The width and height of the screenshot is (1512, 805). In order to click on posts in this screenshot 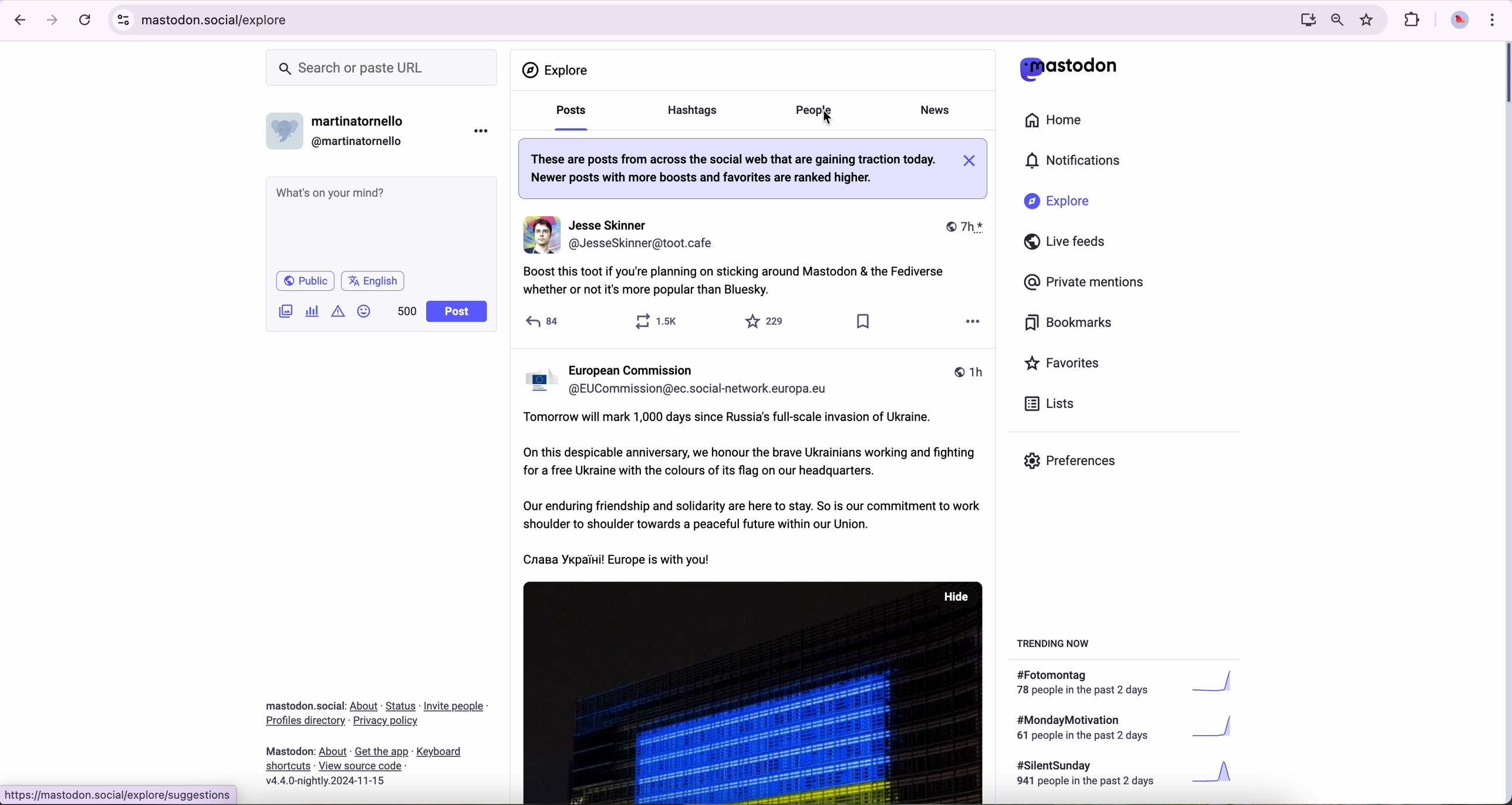, I will do `click(568, 116)`.